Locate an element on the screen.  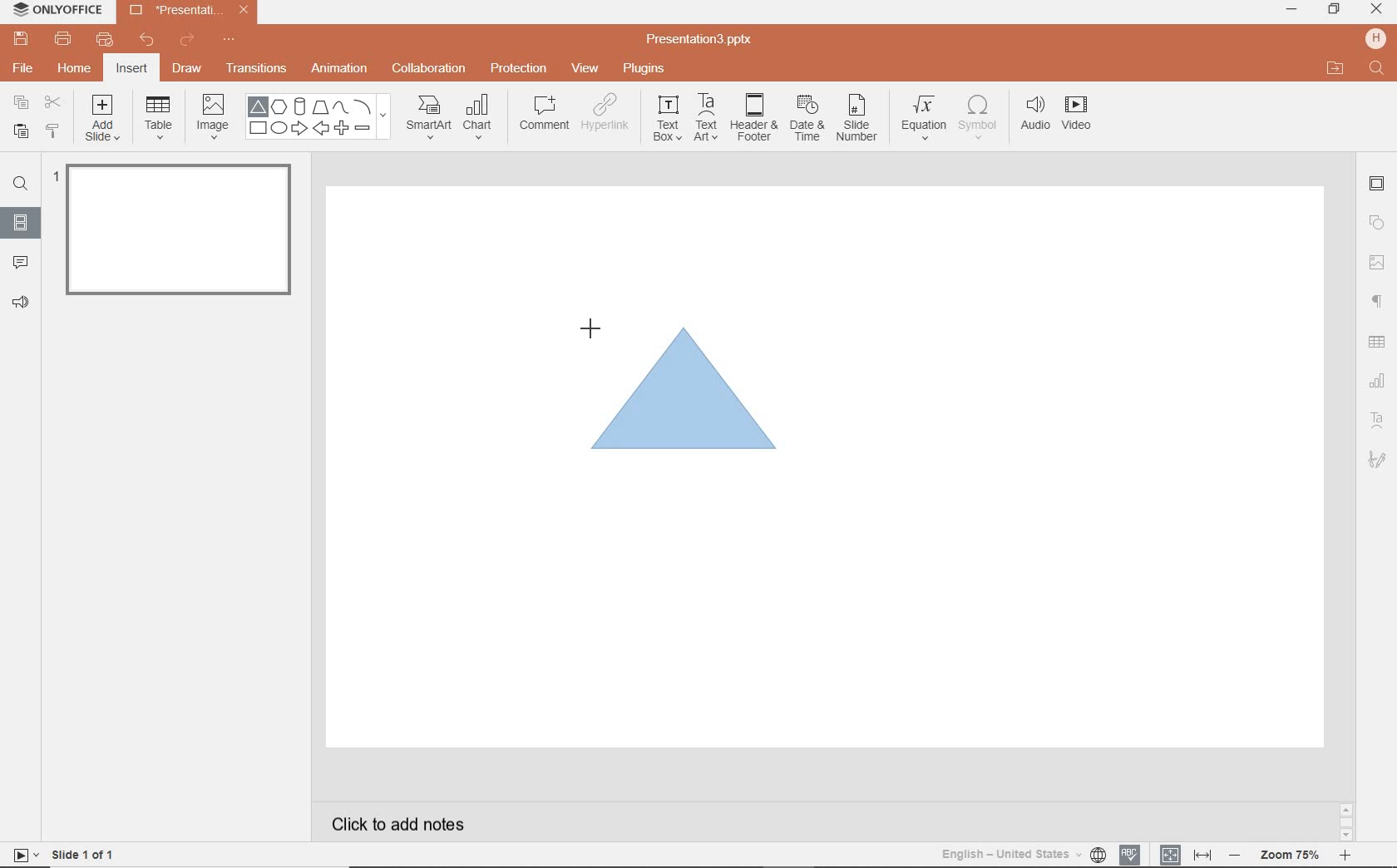
HYPERLINK is located at coordinates (605, 117).